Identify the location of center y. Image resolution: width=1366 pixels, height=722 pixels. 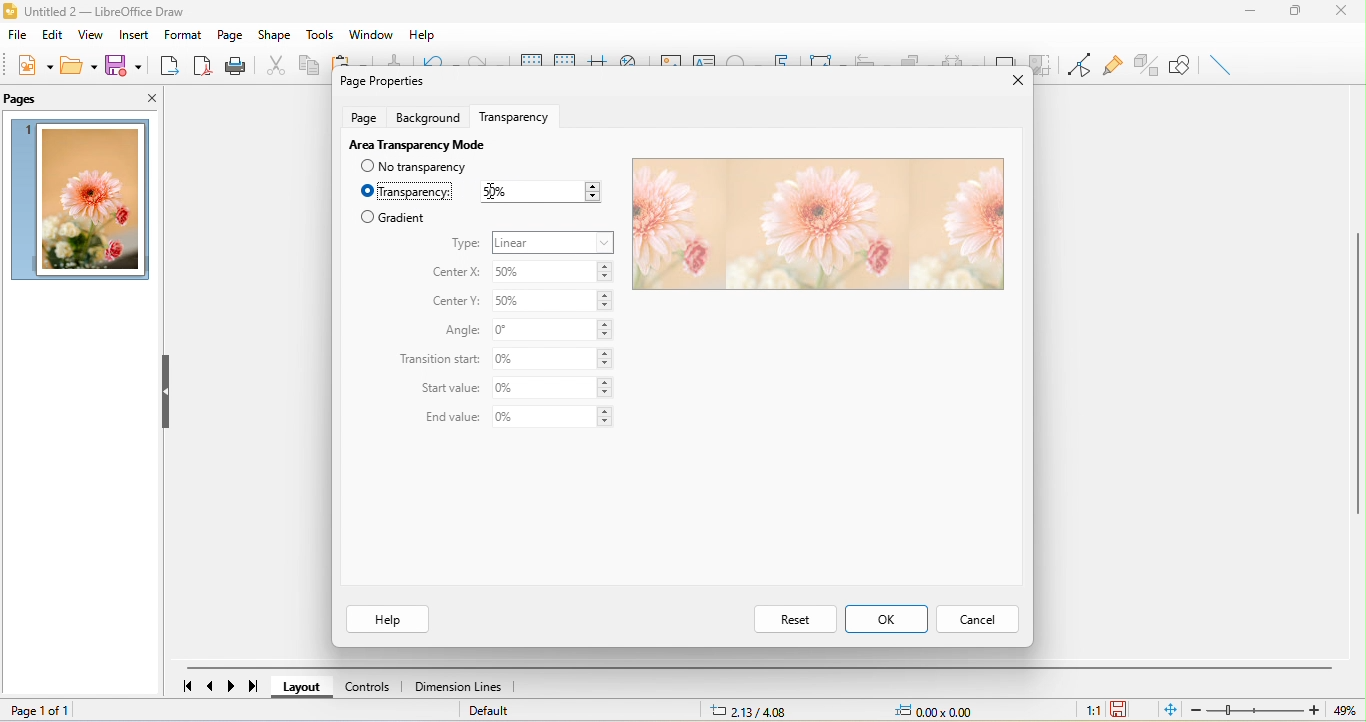
(458, 302).